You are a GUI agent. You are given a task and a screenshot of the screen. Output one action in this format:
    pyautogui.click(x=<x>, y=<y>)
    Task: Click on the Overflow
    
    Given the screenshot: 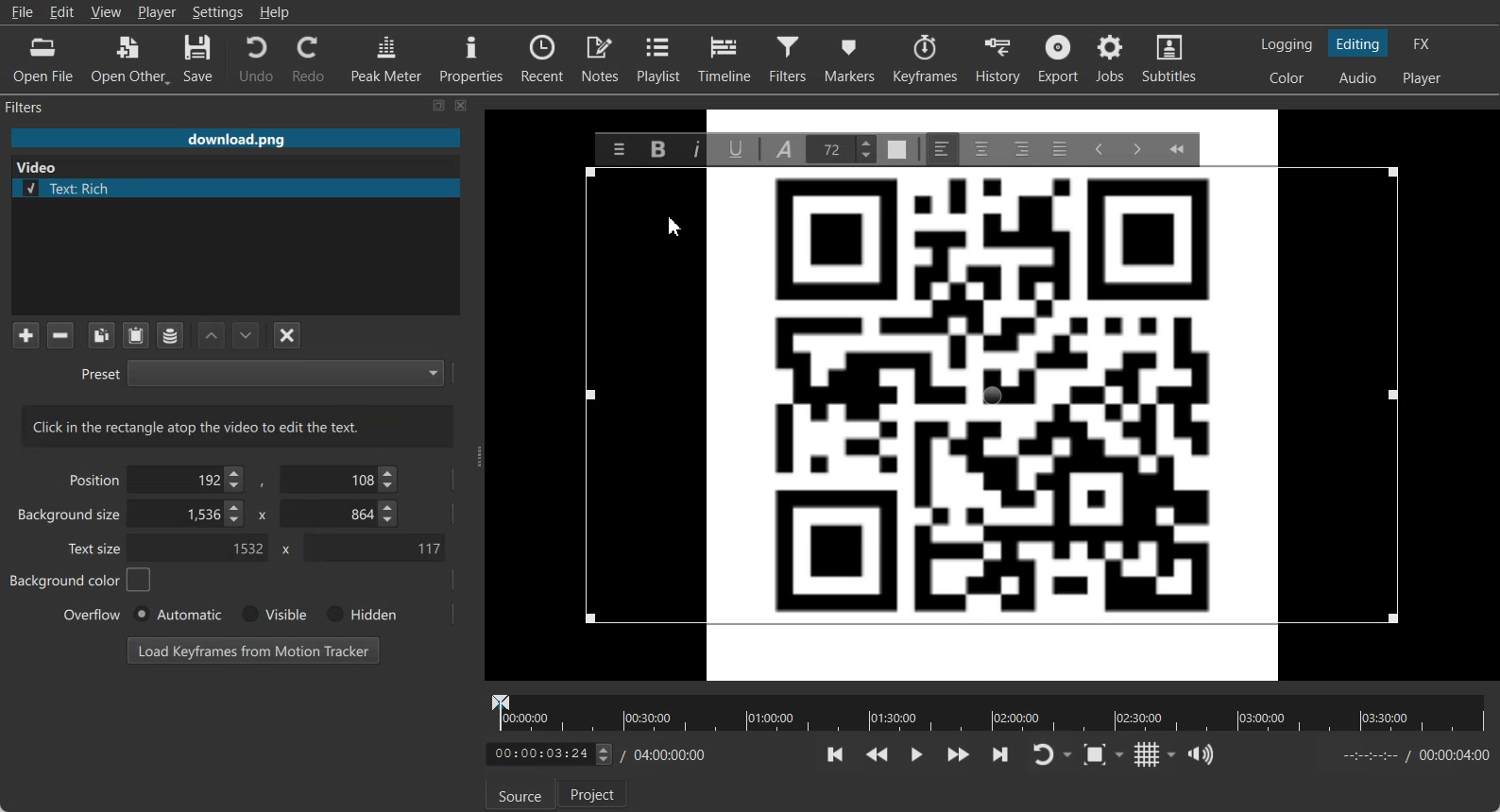 What is the action you would take?
    pyautogui.click(x=93, y=614)
    